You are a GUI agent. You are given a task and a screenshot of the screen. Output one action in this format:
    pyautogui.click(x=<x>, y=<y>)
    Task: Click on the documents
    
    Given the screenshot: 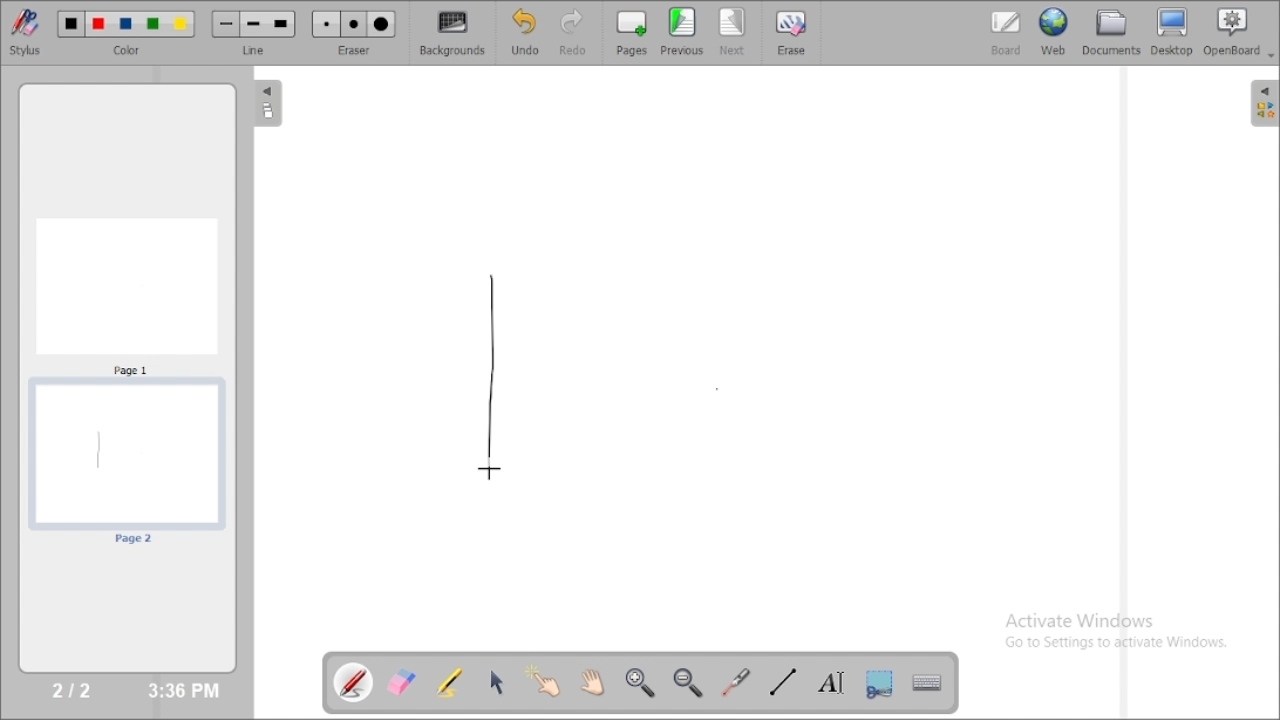 What is the action you would take?
    pyautogui.click(x=1110, y=31)
    